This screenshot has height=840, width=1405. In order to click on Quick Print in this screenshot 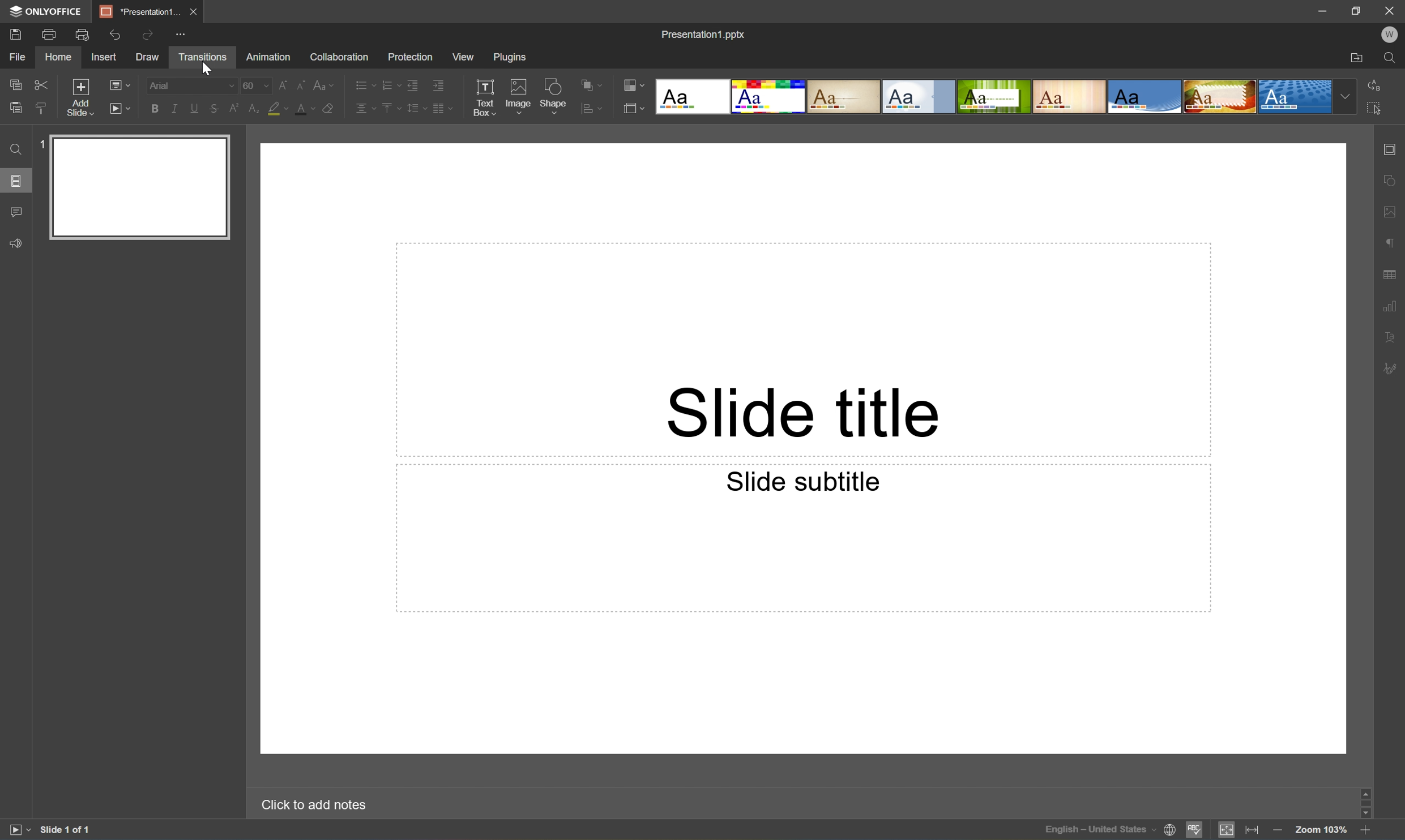, I will do `click(84, 33)`.